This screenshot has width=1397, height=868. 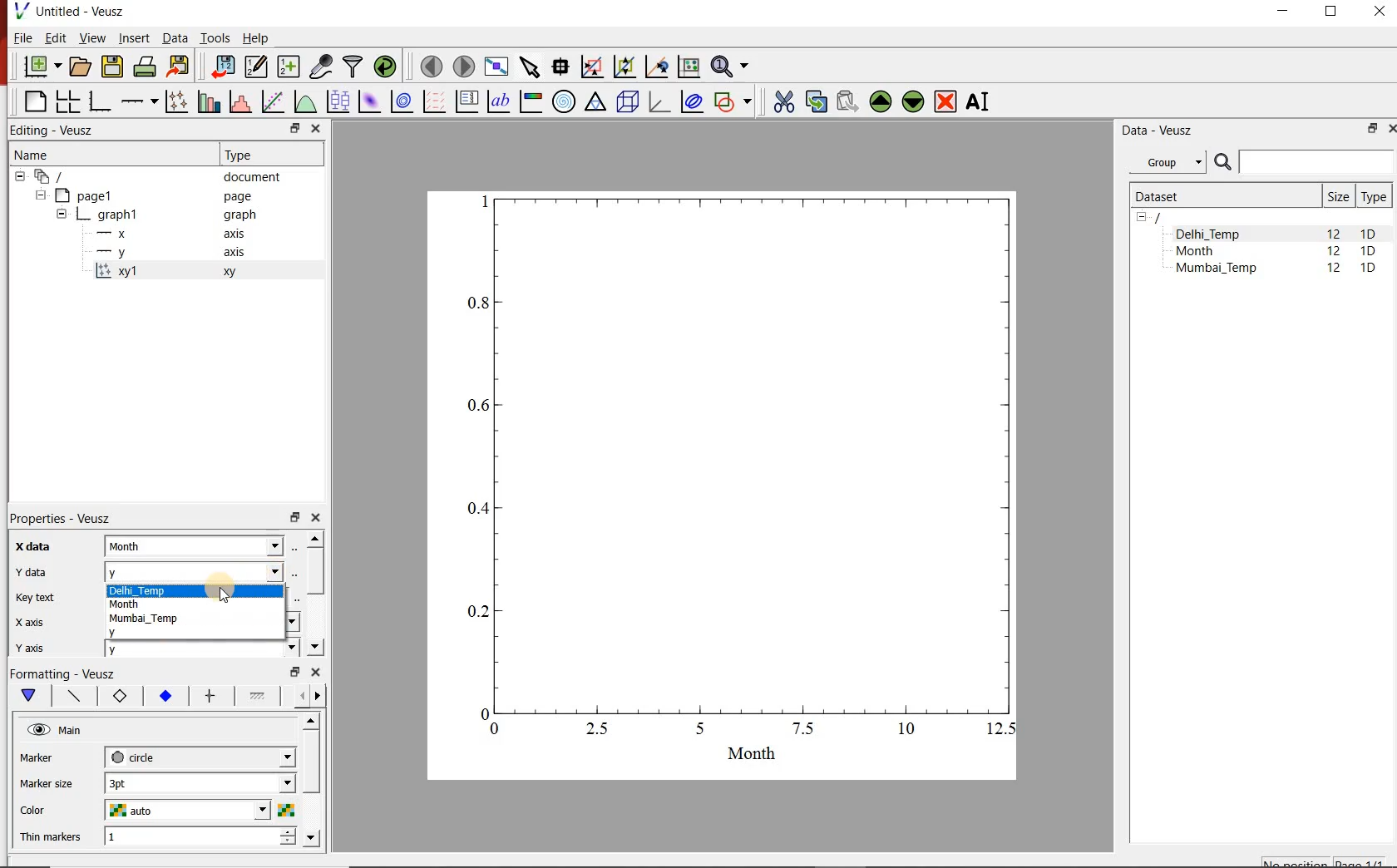 What do you see at coordinates (175, 102) in the screenshot?
I see `plot points with lines and errorbars` at bounding box center [175, 102].